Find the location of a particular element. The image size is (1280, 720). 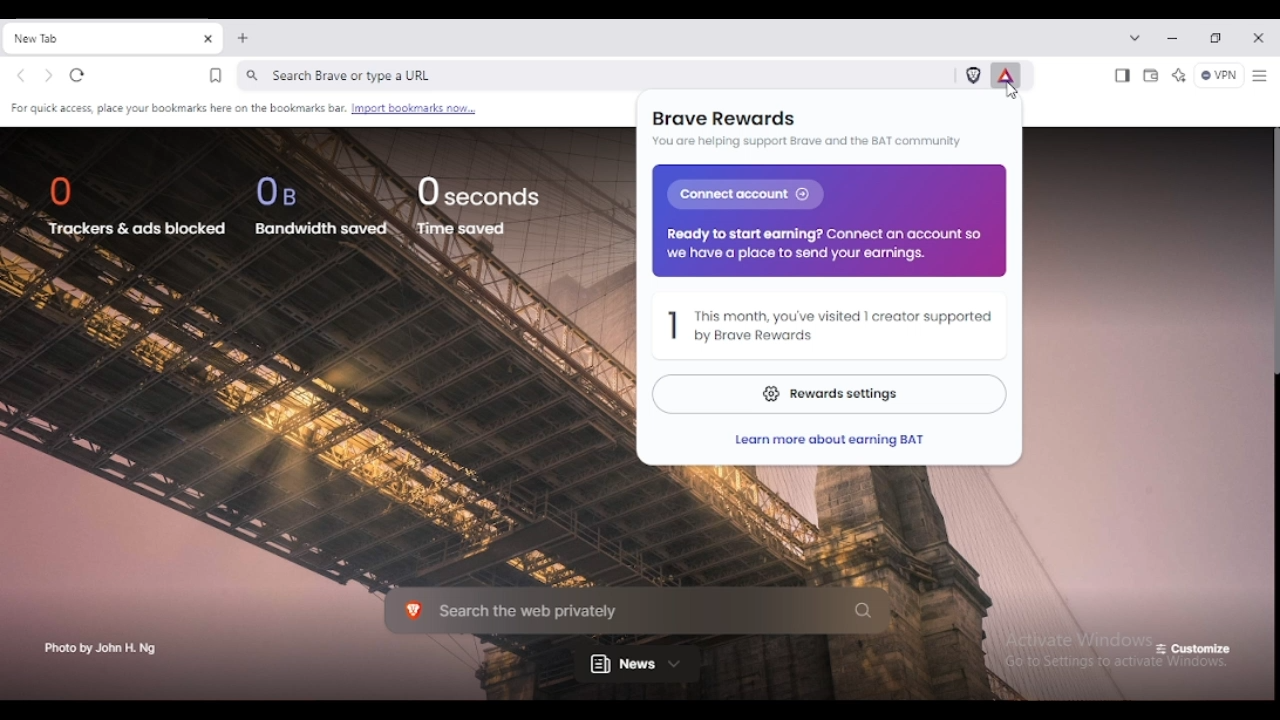

new tab is located at coordinates (243, 38).